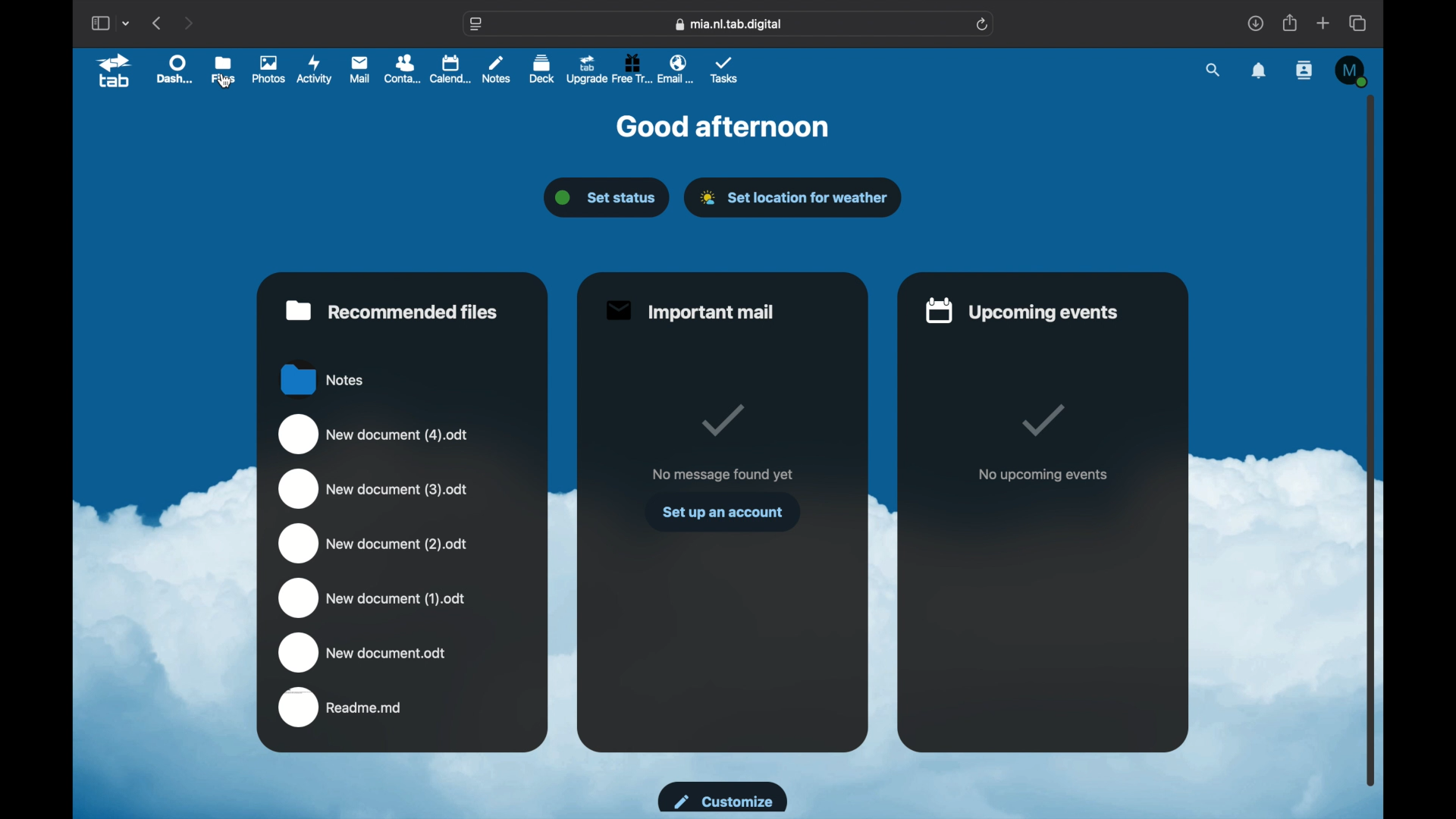 Image resolution: width=1456 pixels, height=819 pixels. What do you see at coordinates (224, 81) in the screenshot?
I see `cursor` at bounding box center [224, 81].